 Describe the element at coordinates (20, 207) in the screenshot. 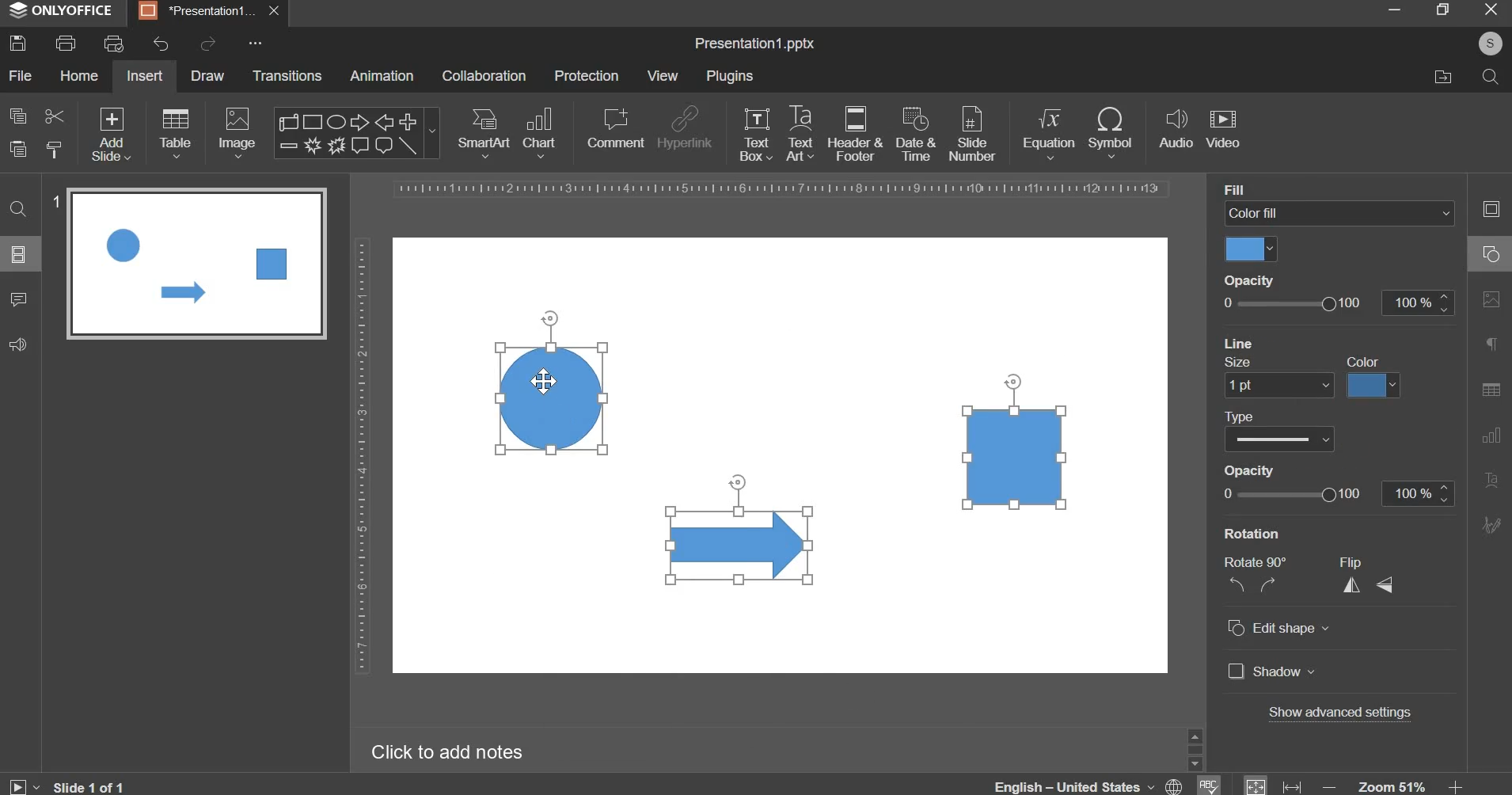

I see `find` at that location.